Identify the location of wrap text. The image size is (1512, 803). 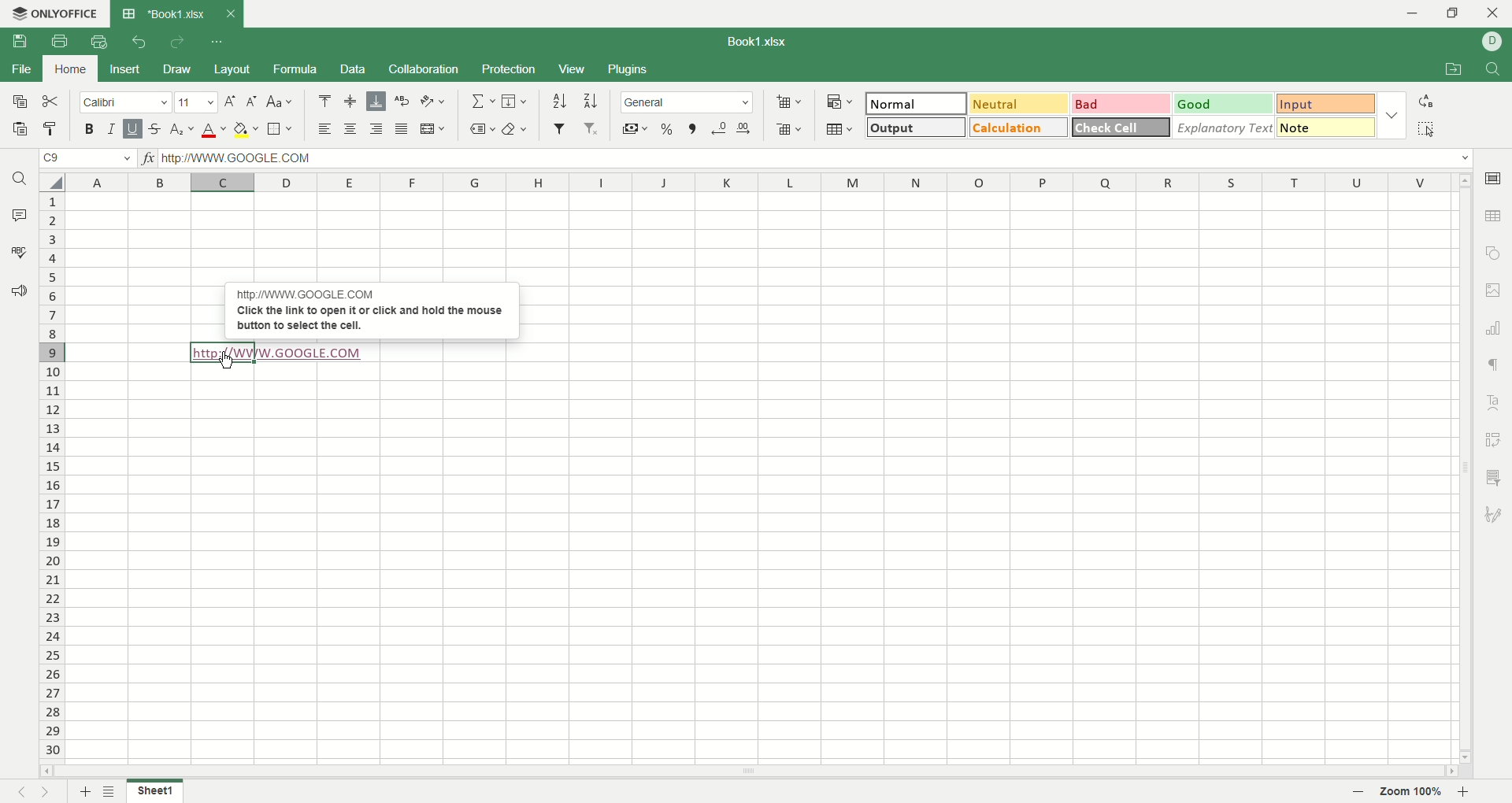
(402, 99).